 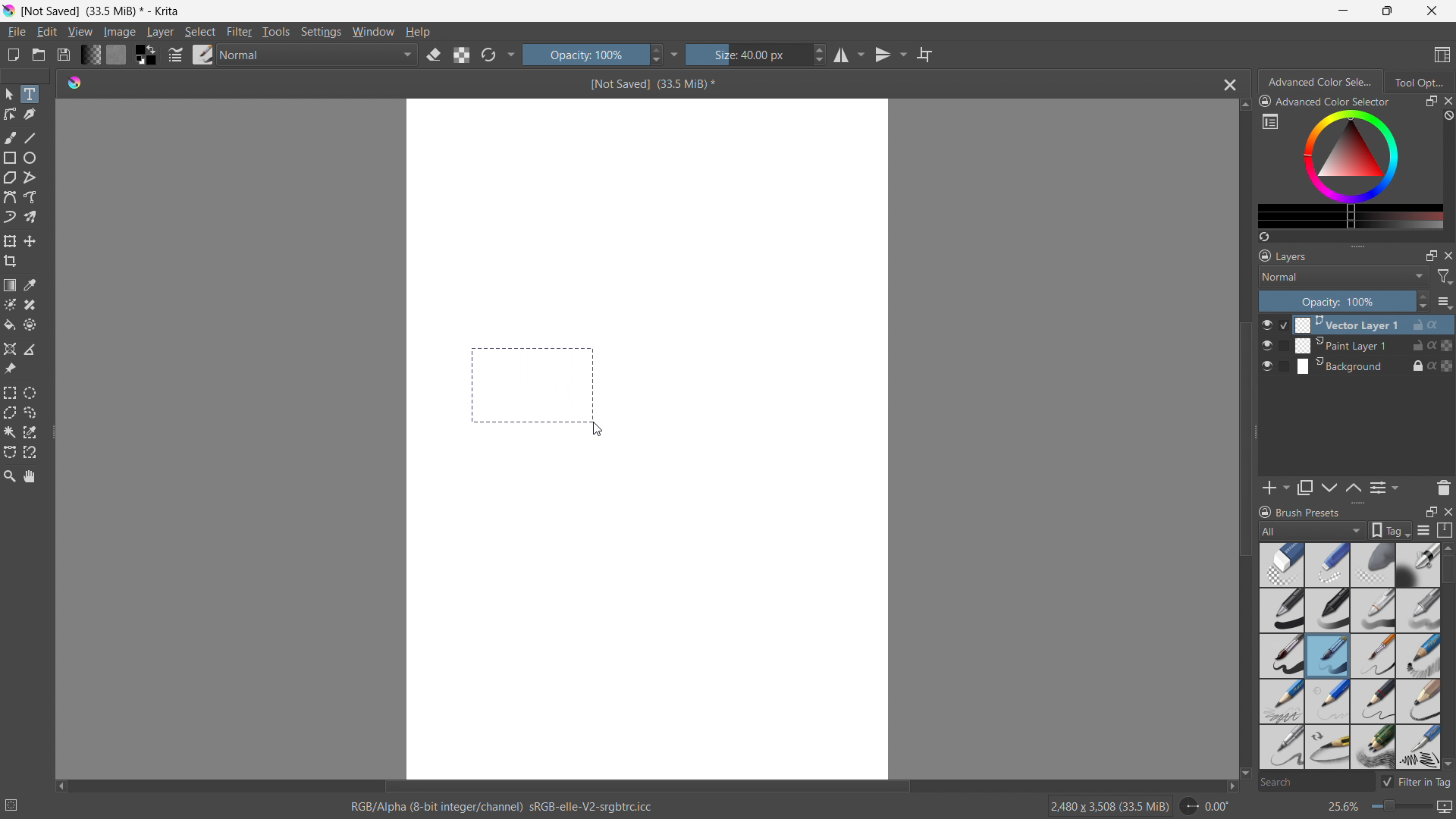 What do you see at coordinates (1281, 611) in the screenshot?
I see `bold pen` at bounding box center [1281, 611].